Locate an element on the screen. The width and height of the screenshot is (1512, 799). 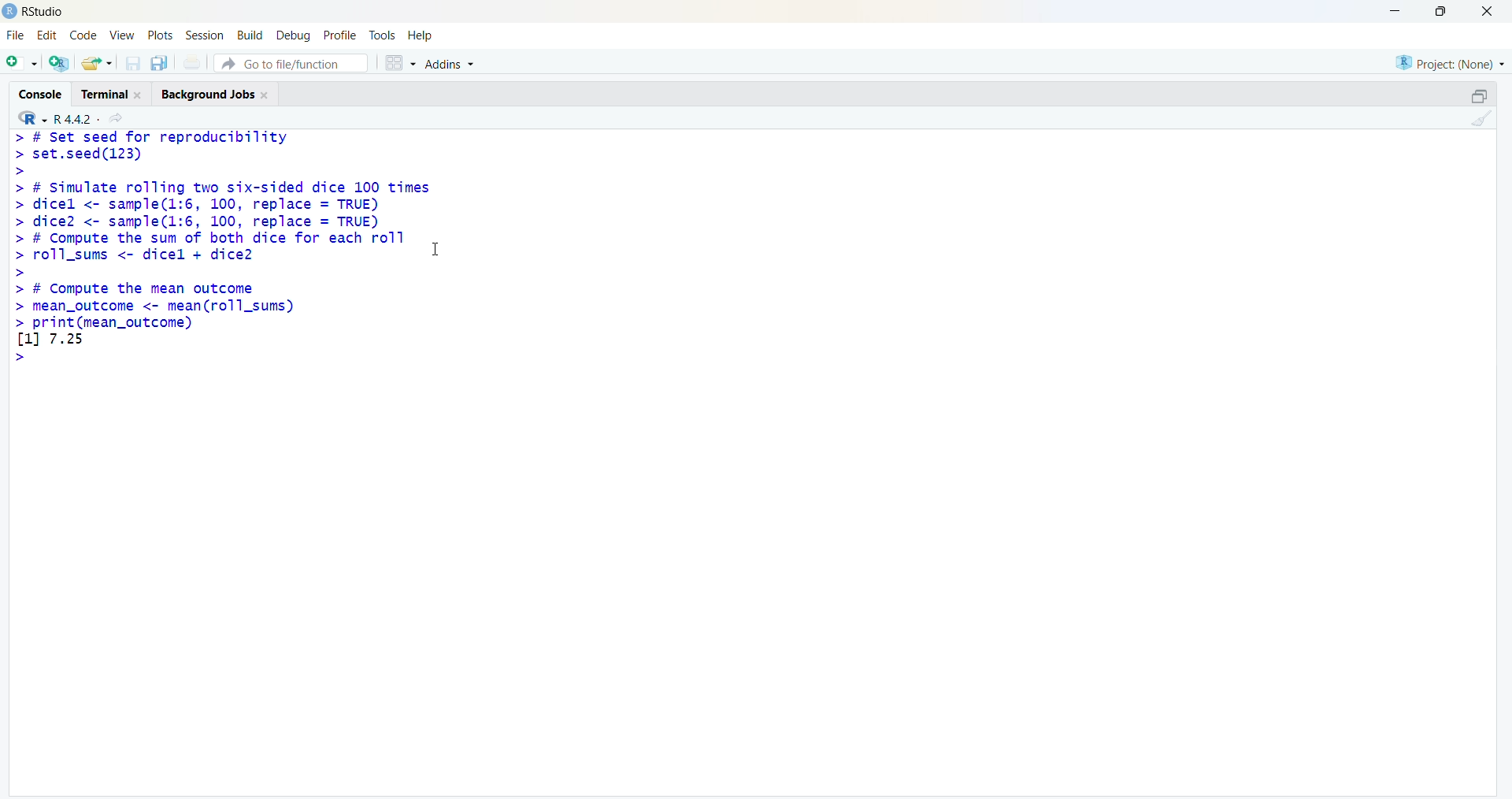
open in separate window is located at coordinates (1480, 96).